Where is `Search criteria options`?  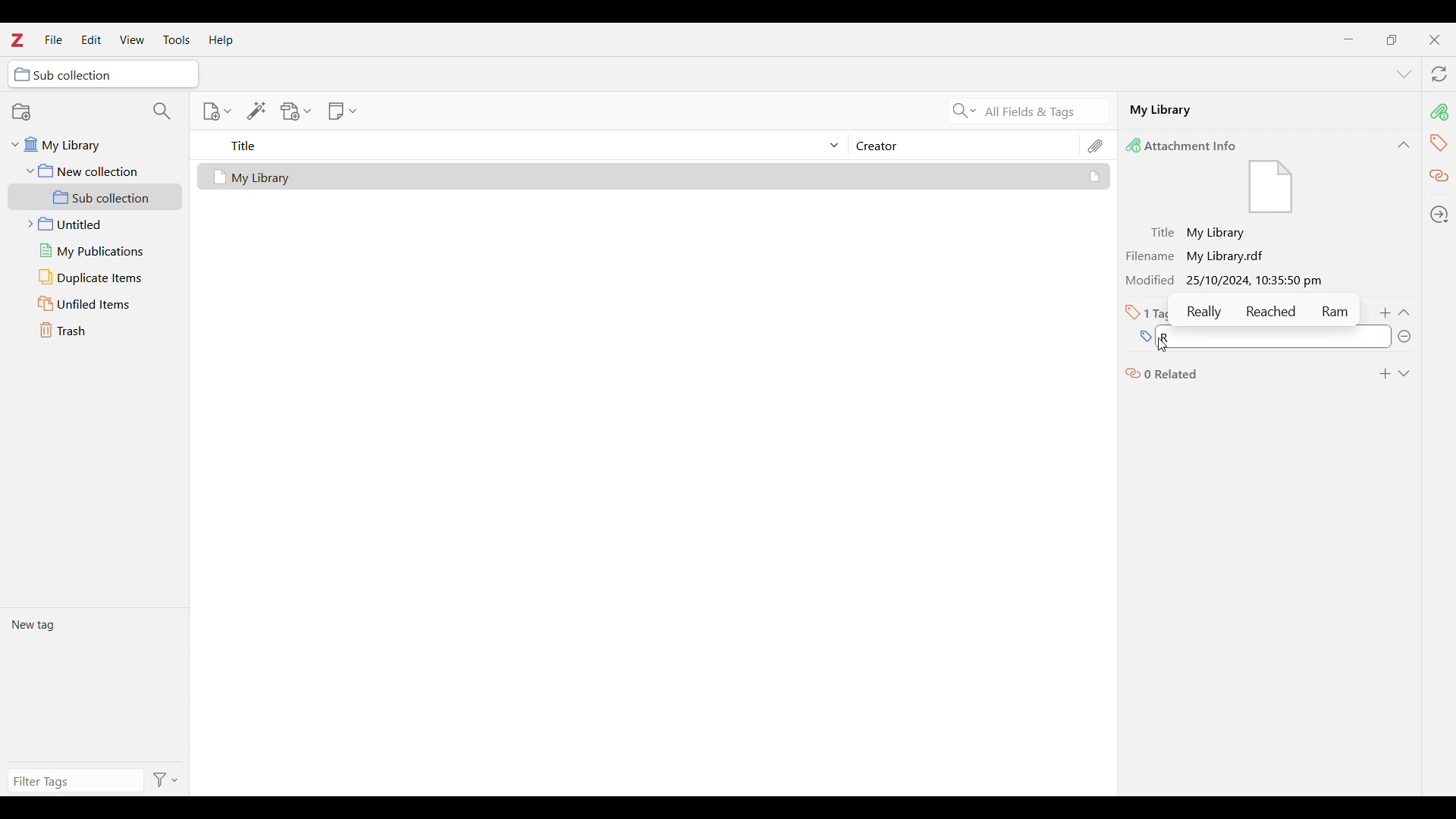 Search criteria options is located at coordinates (965, 110).